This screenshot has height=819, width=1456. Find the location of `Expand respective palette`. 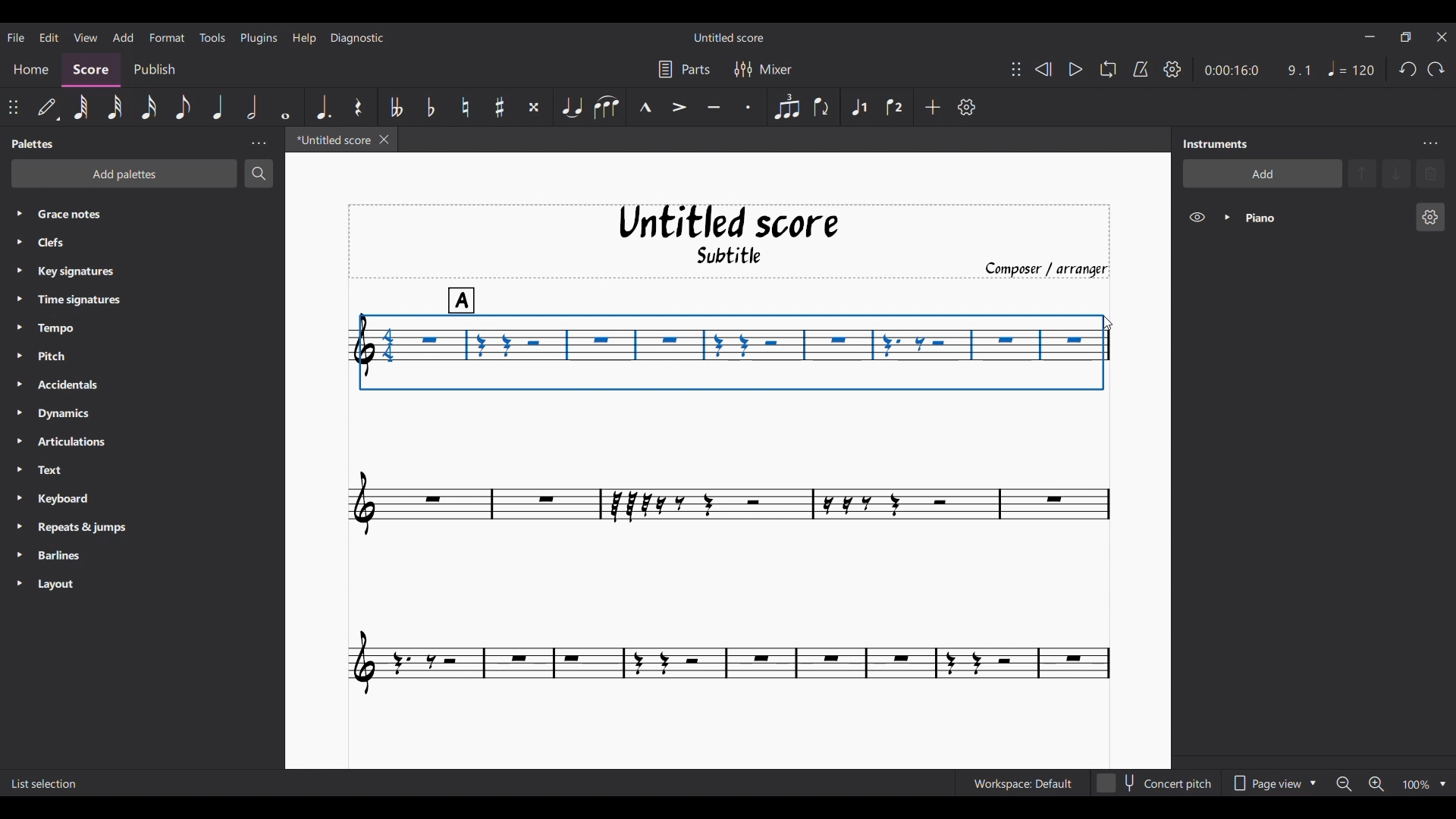

Expand respective palette is located at coordinates (14, 398).